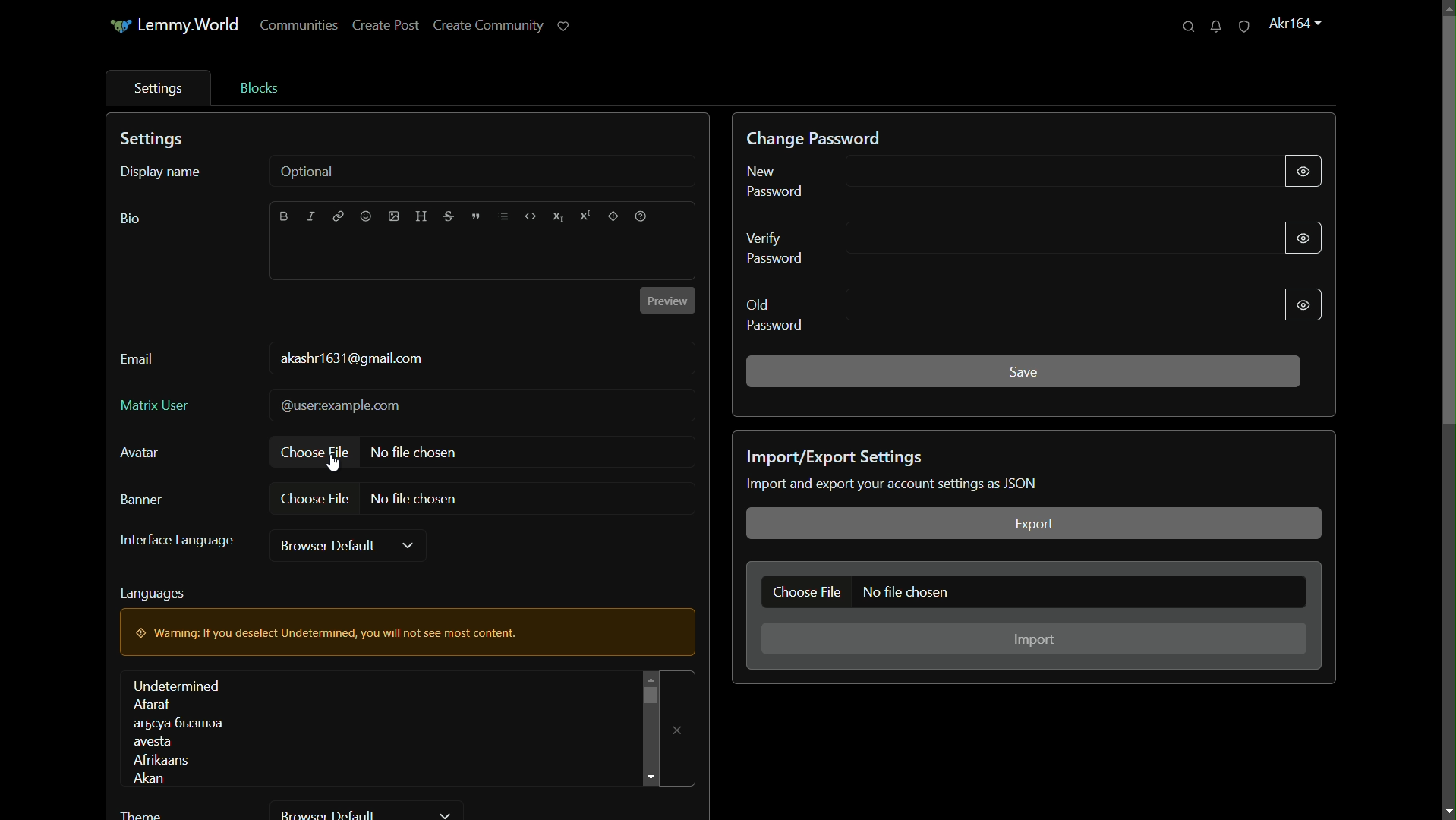  I want to click on save, so click(1024, 371).